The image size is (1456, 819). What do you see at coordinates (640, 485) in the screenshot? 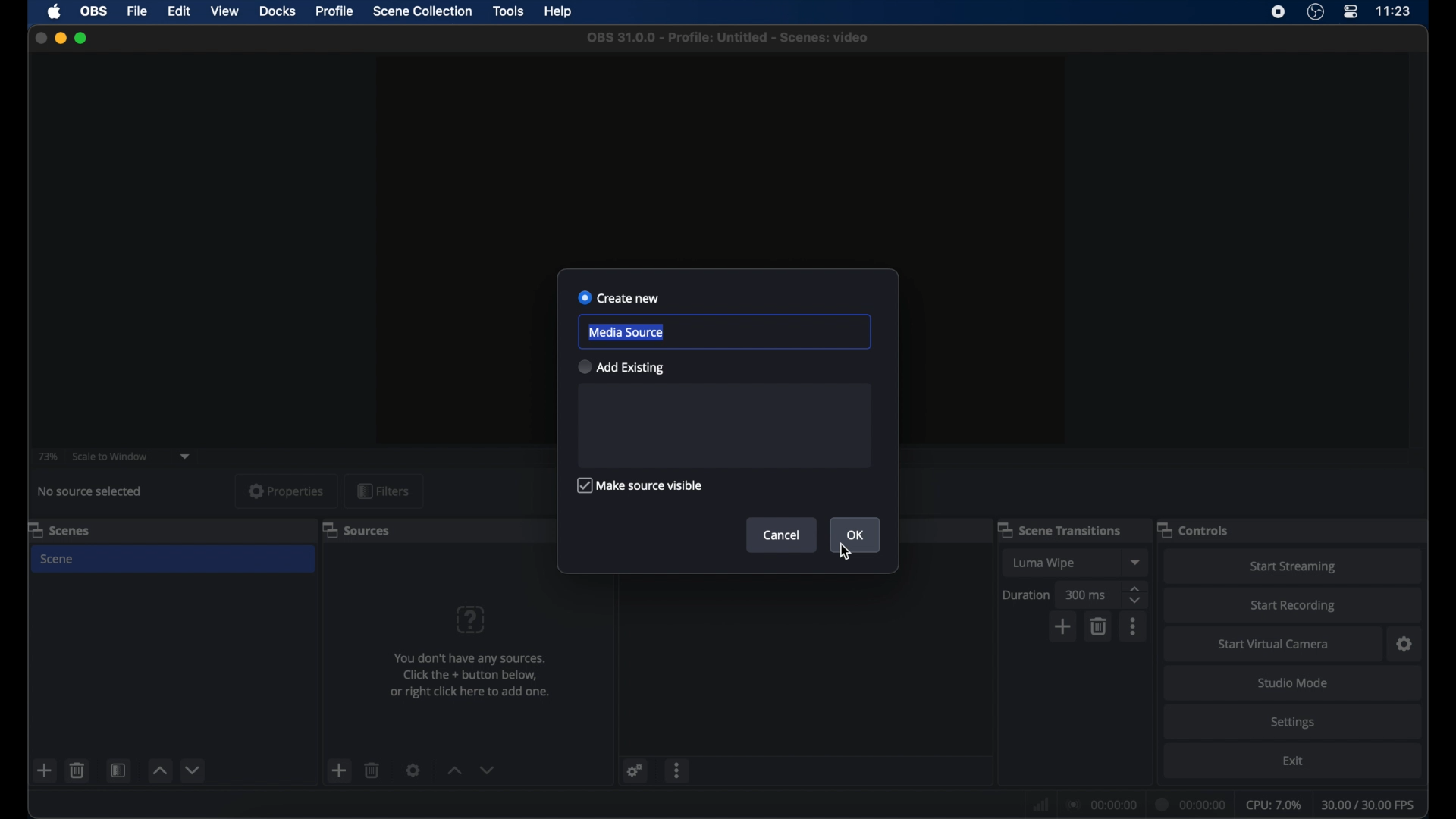
I see `make source visible` at bounding box center [640, 485].